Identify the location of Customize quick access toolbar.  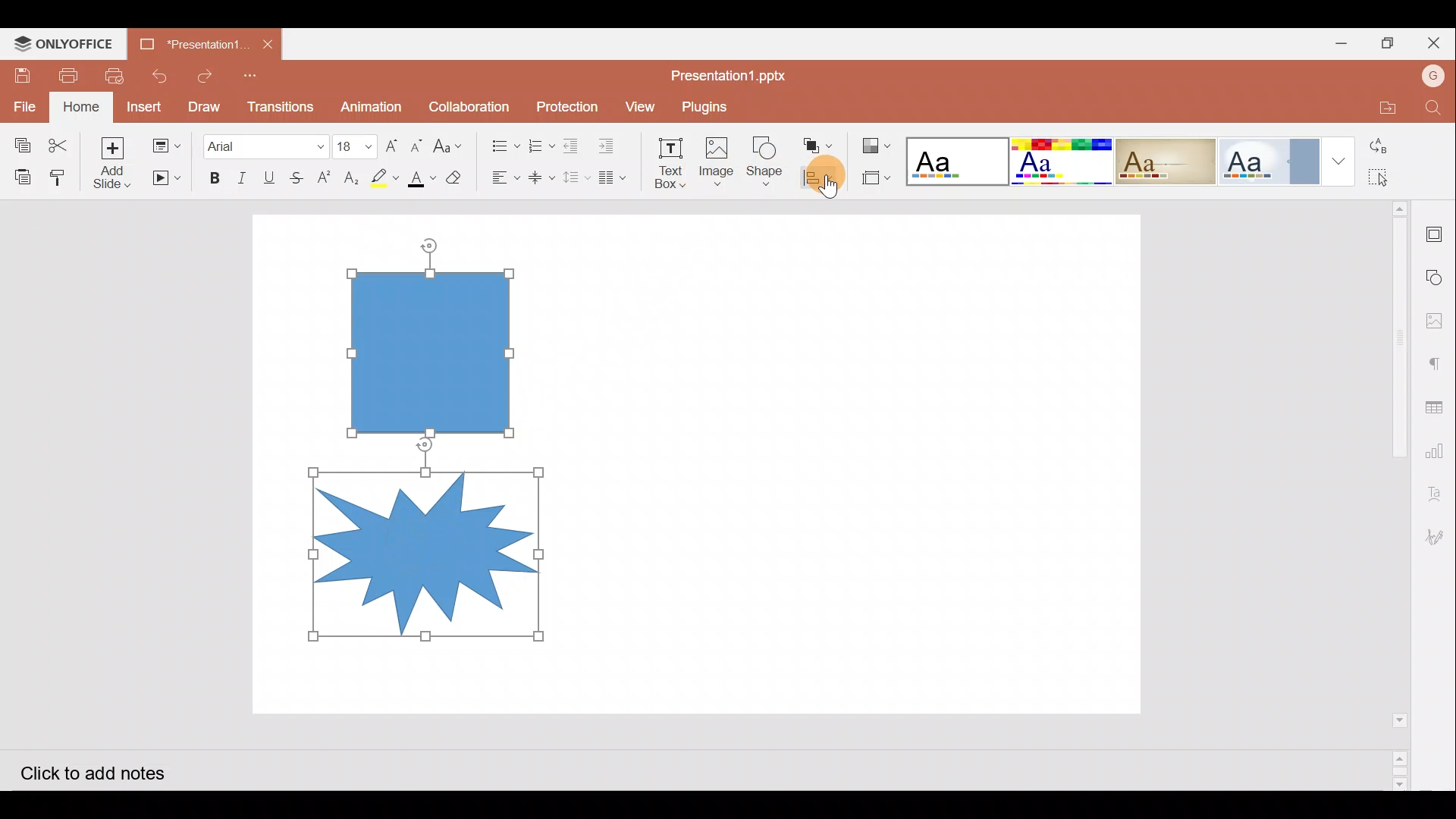
(252, 74).